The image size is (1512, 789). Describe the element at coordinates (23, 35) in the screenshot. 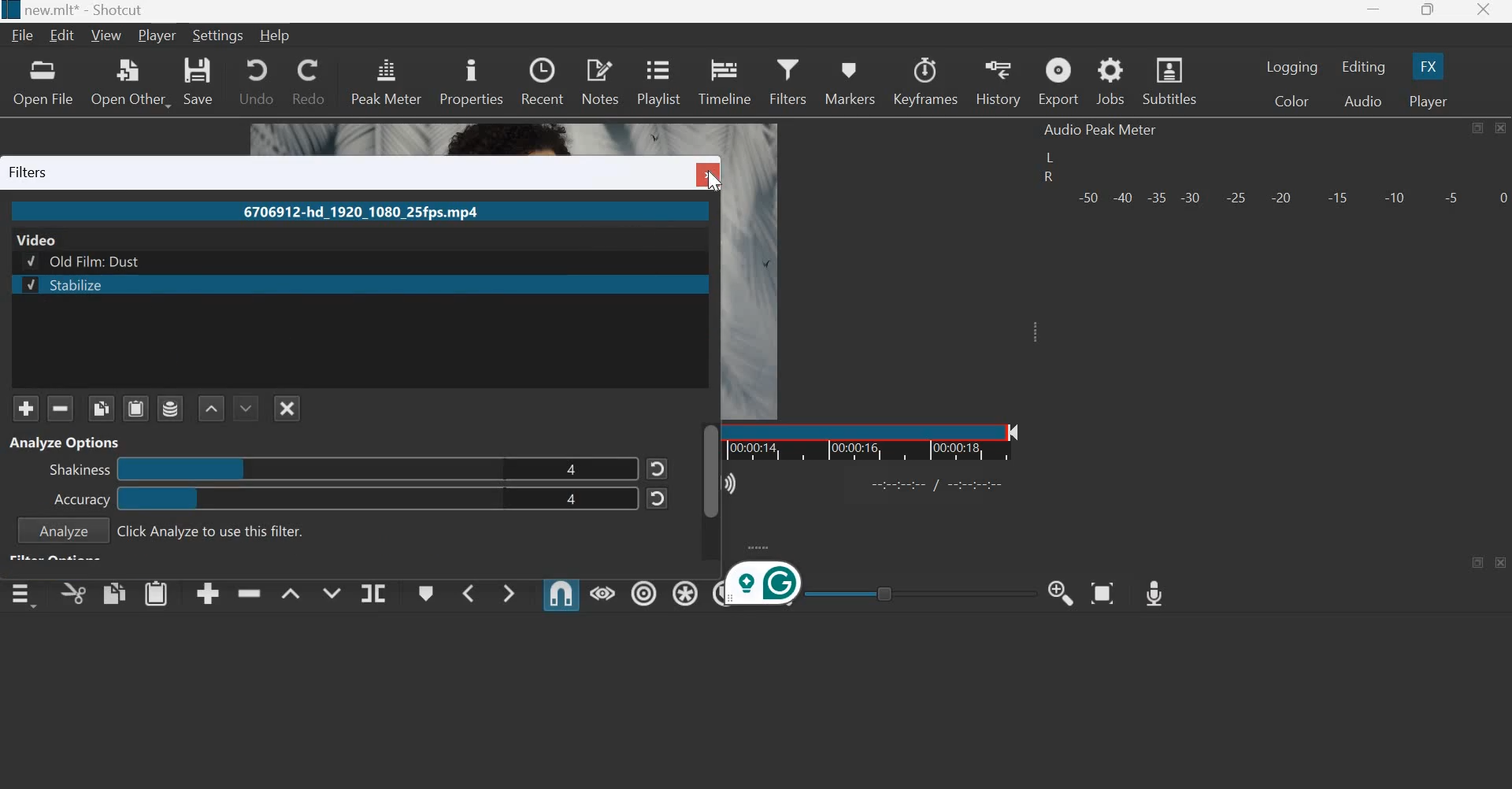

I see `File` at that location.